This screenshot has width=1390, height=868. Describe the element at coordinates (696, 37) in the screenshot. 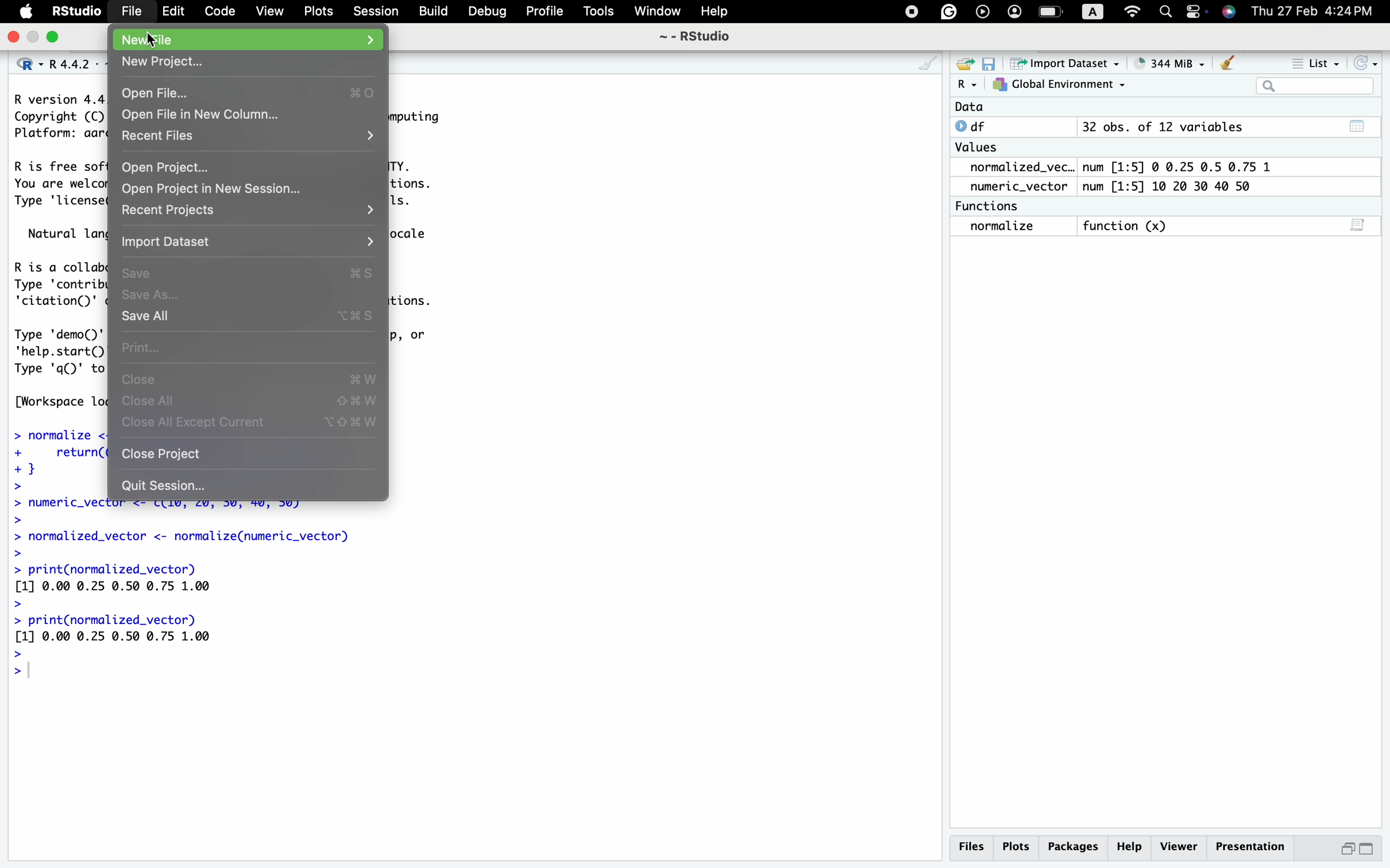

I see `~ - RStudio` at that location.